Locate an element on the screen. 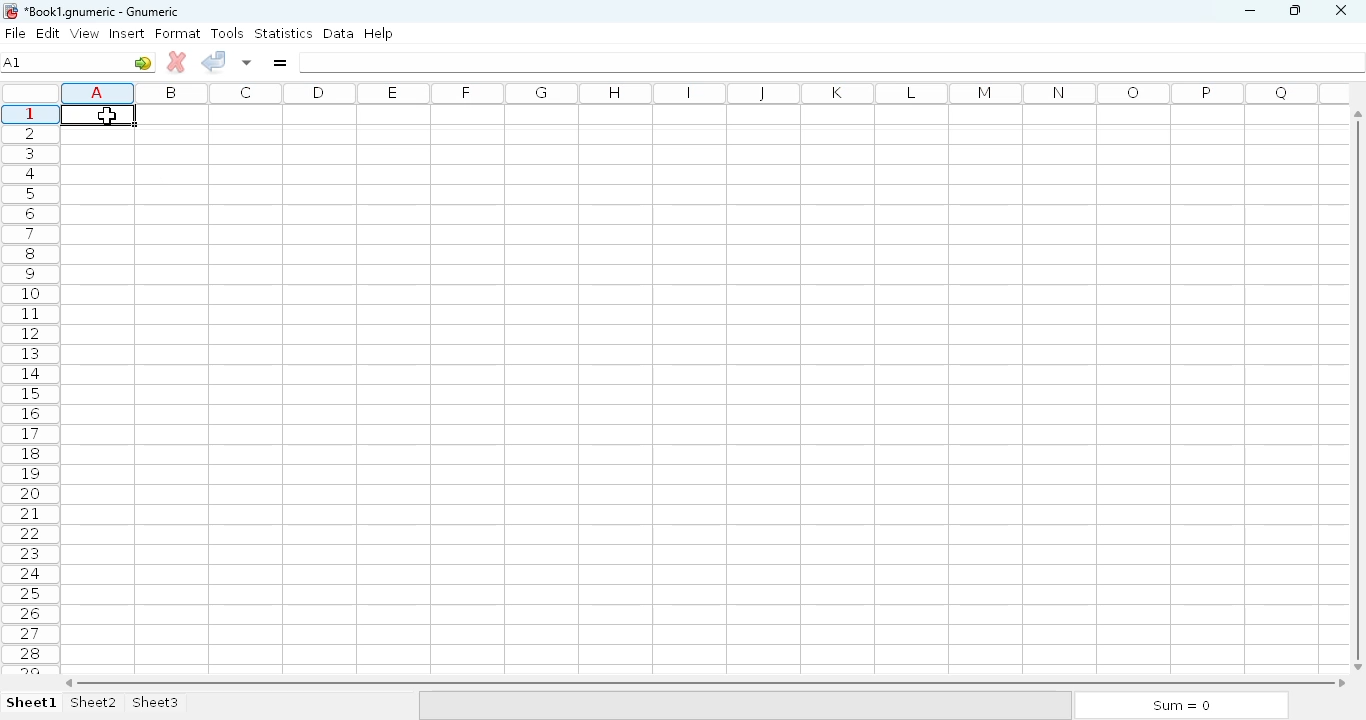 The height and width of the screenshot is (720, 1366). Cursor is located at coordinates (107, 115).